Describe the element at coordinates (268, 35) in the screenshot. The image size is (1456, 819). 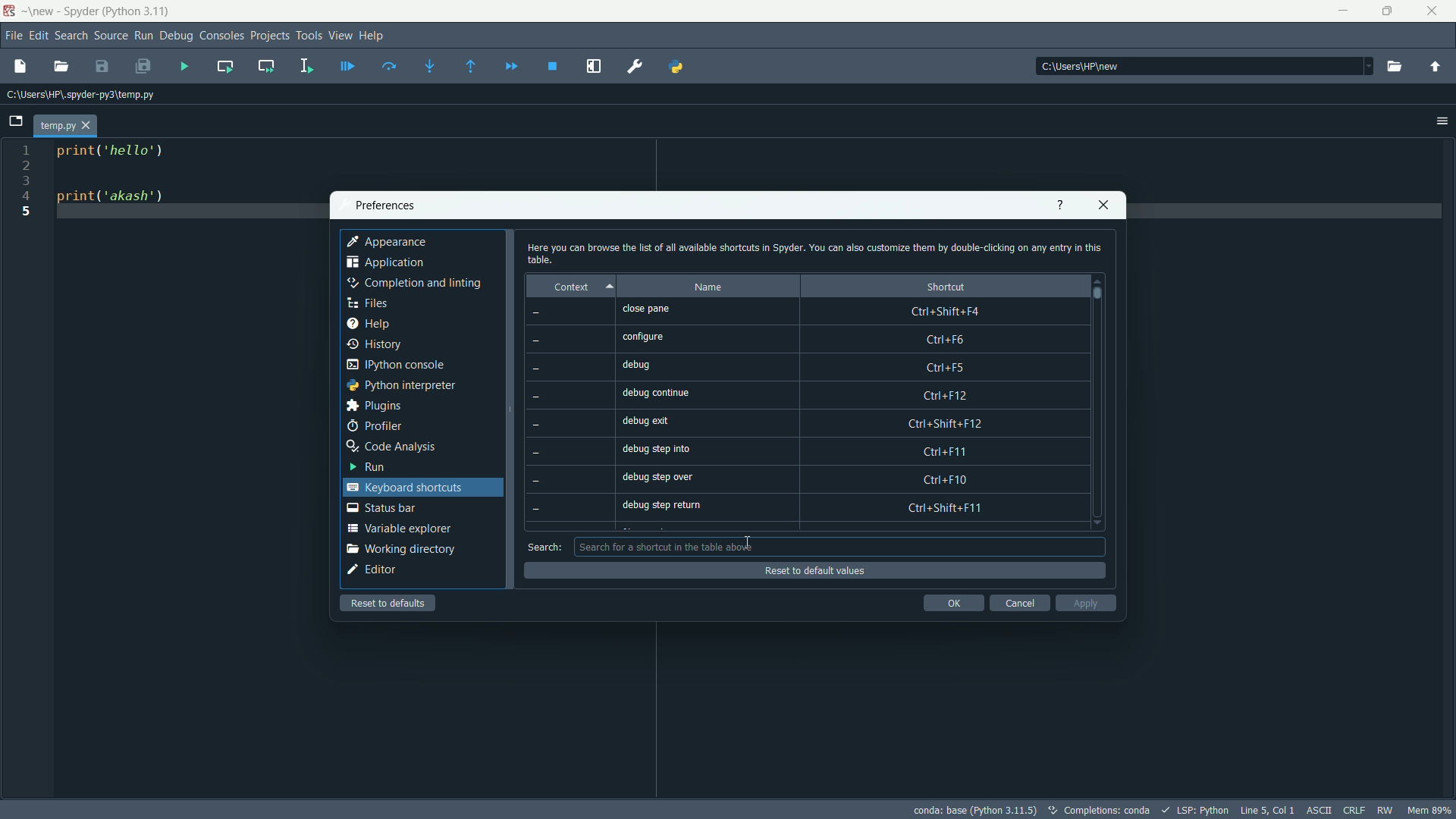
I see `projects menu` at that location.